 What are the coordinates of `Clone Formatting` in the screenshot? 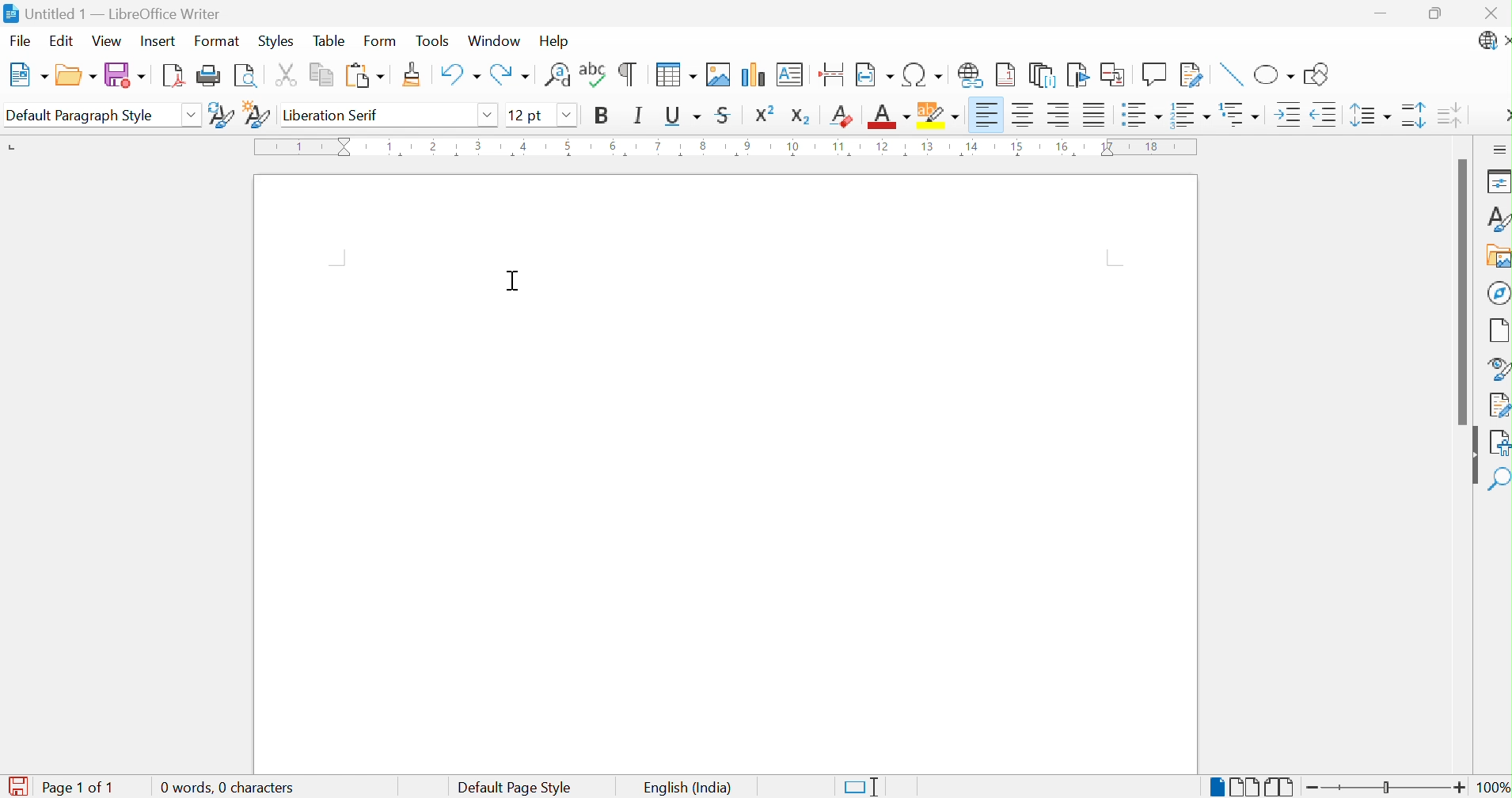 It's located at (412, 74).